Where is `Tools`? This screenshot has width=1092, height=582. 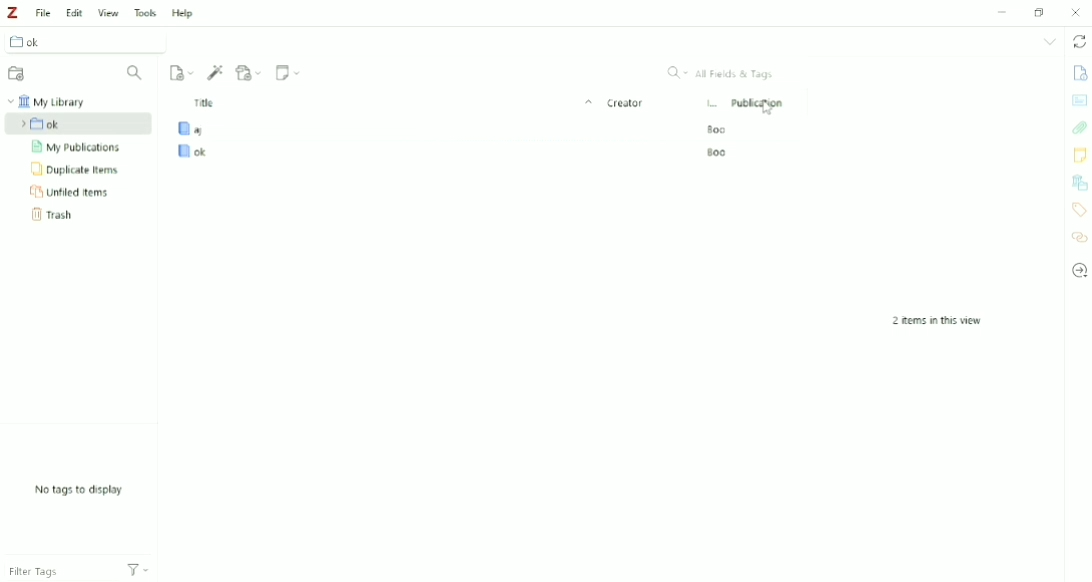
Tools is located at coordinates (146, 13).